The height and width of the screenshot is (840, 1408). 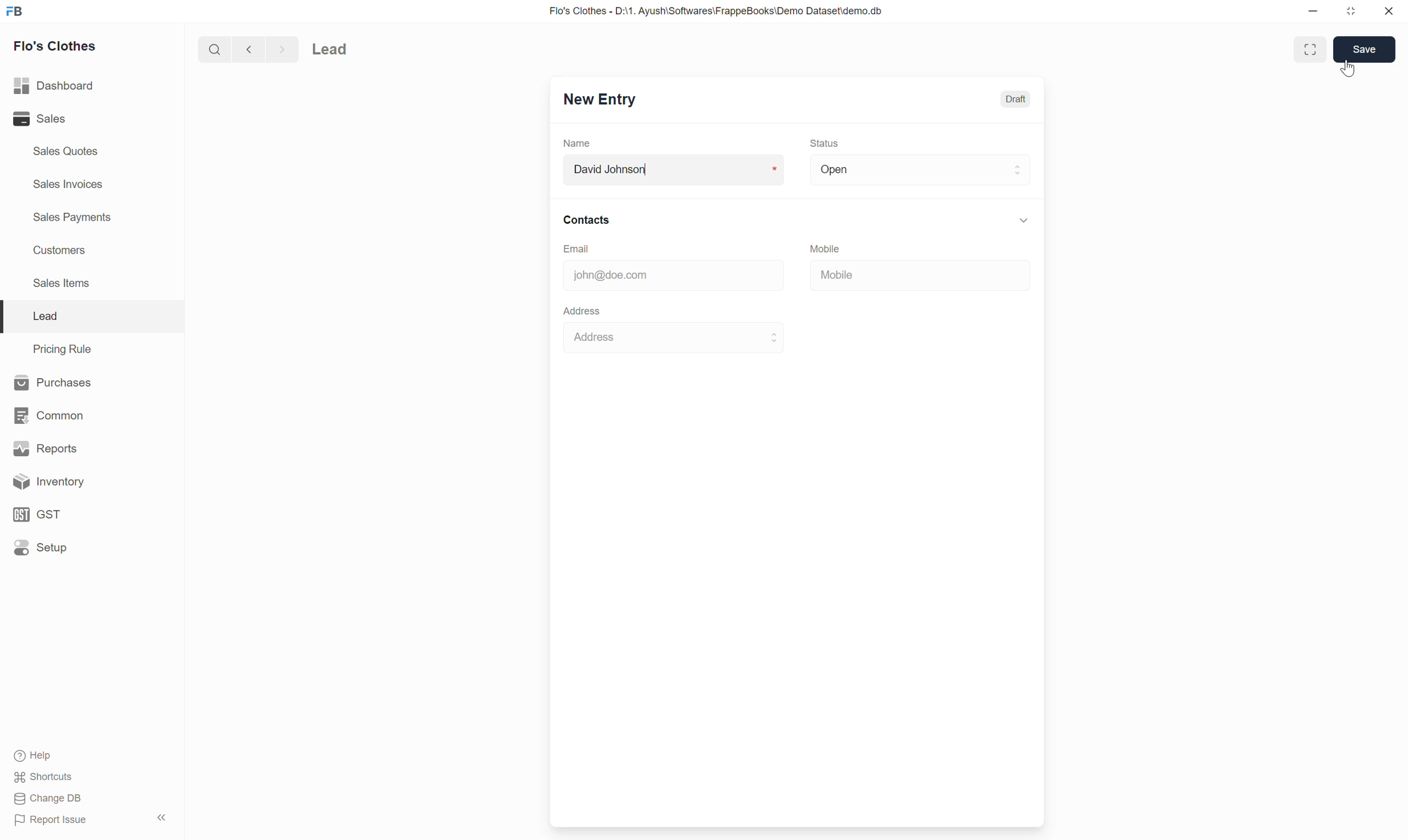 I want to click on  Reports, so click(x=41, y=447).